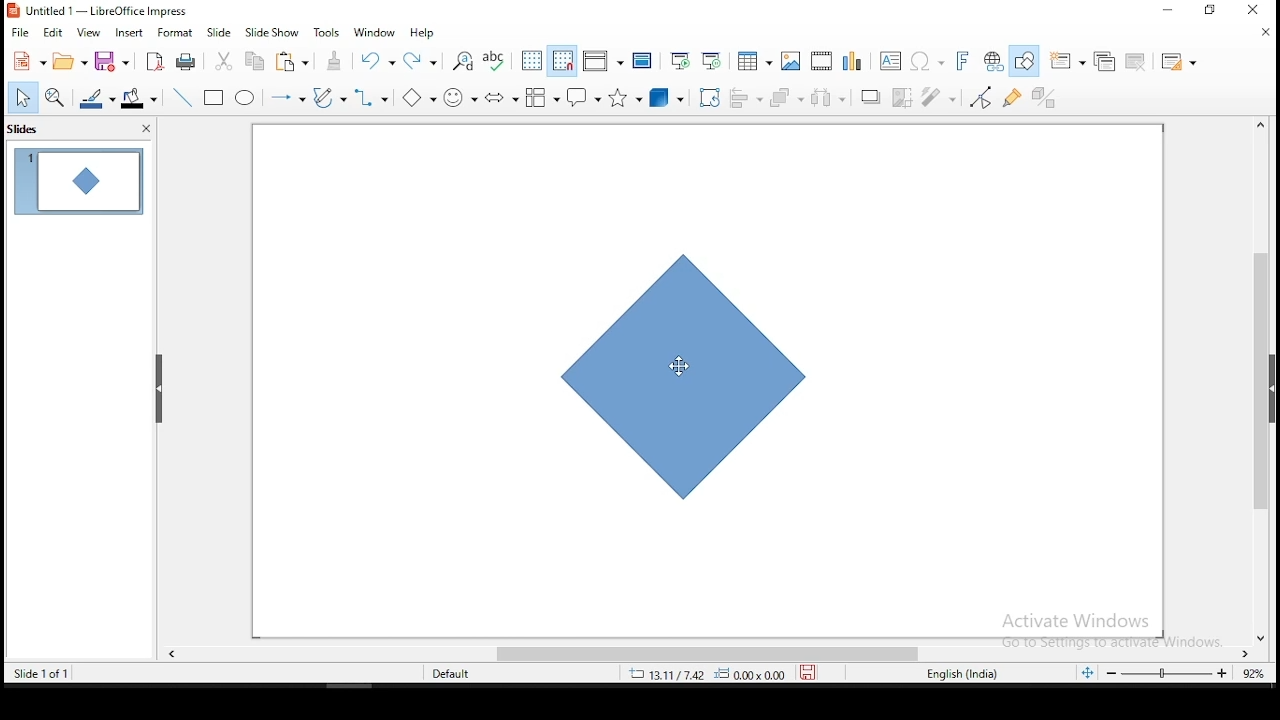 The height and width of the screenshot is (720, 1280). What do you see at coordinates (543, 97) in the screenshot?
I see `flowchart` at bounding box center [543, 97].